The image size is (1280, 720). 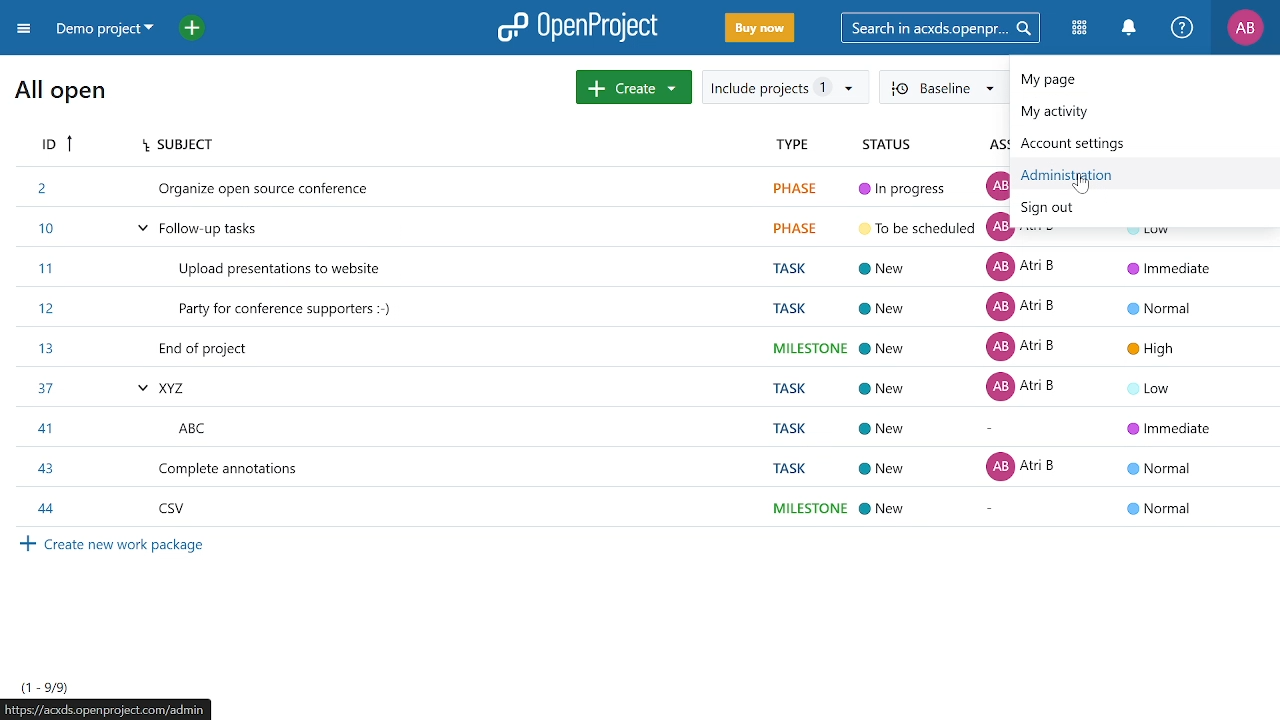 I want to click on Administration, so click(x=1087, y=177).